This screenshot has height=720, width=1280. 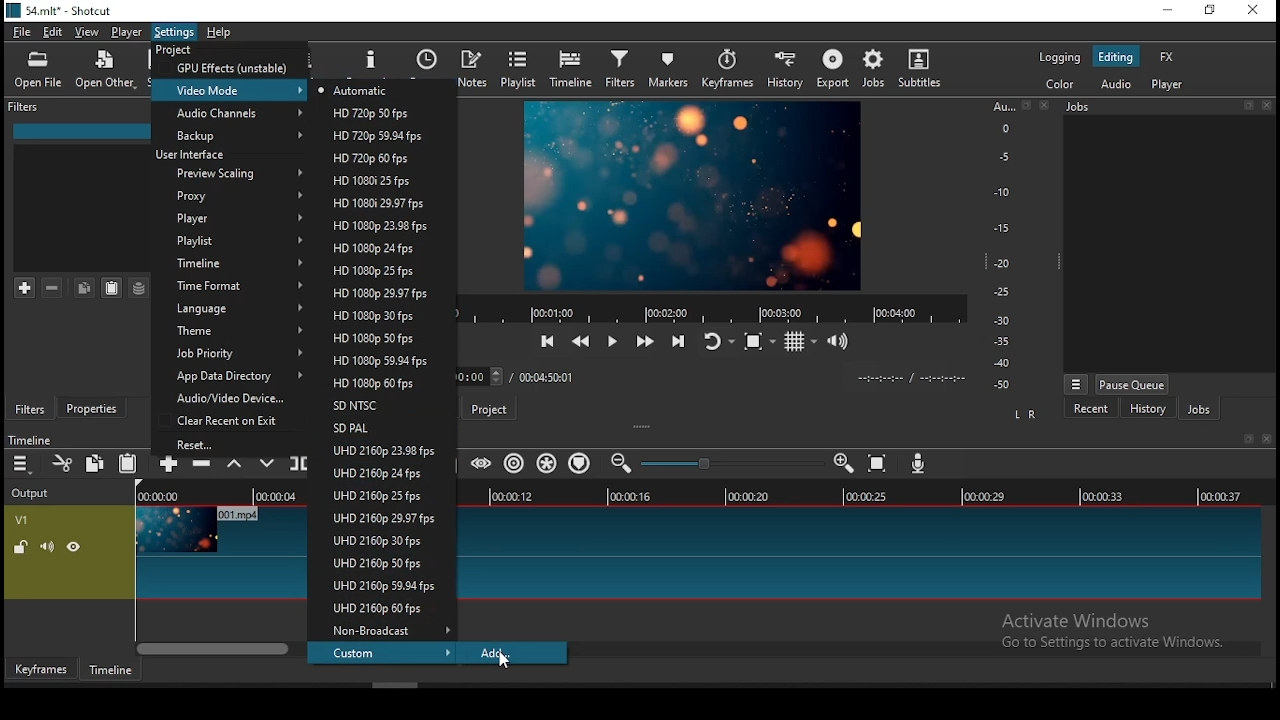 What do you see at coordinates (645, 339) in the screenshot?
I see `play quickly forwards` at bounding box center [645, 339].